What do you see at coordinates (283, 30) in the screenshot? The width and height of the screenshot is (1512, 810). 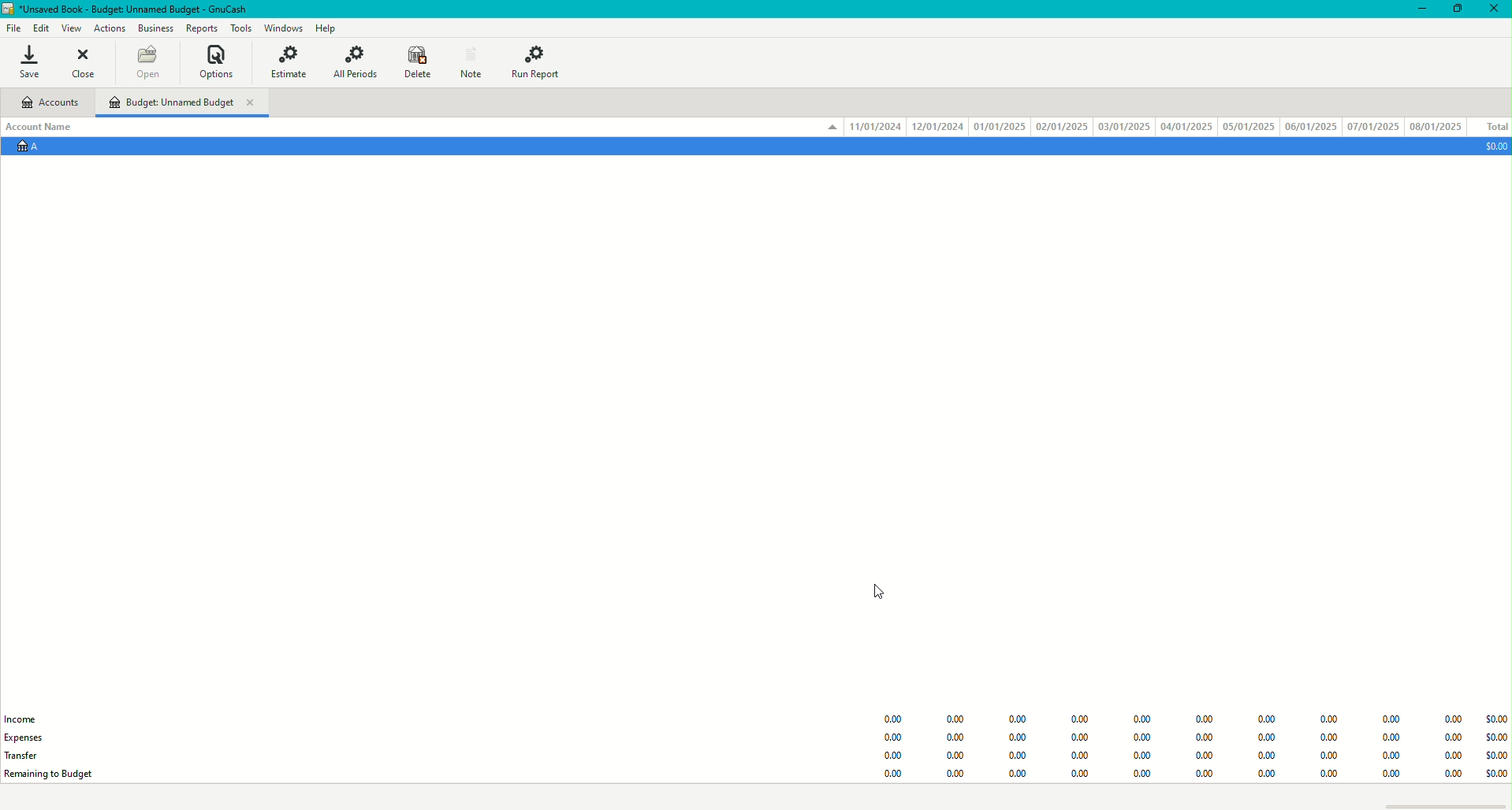 I see `Windows` at bounding box center [283, 30].